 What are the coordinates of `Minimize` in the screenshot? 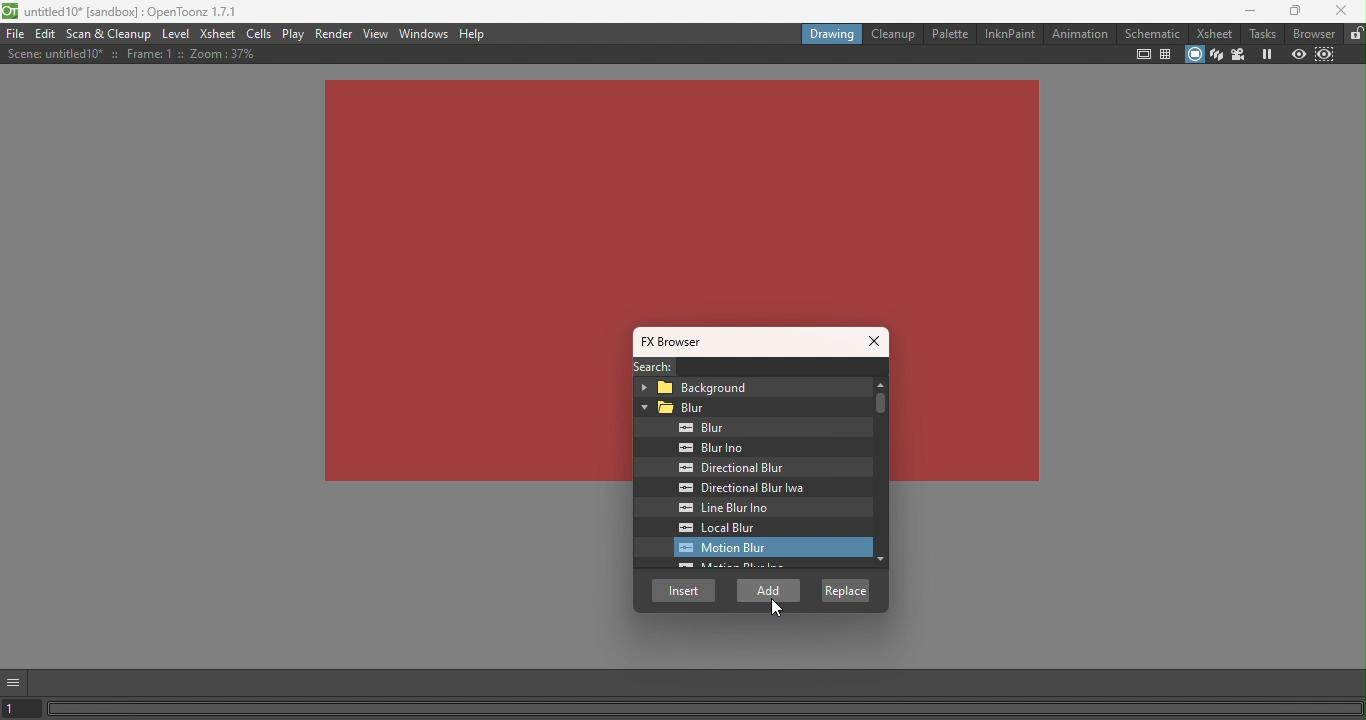 It's located at (1247, 11).